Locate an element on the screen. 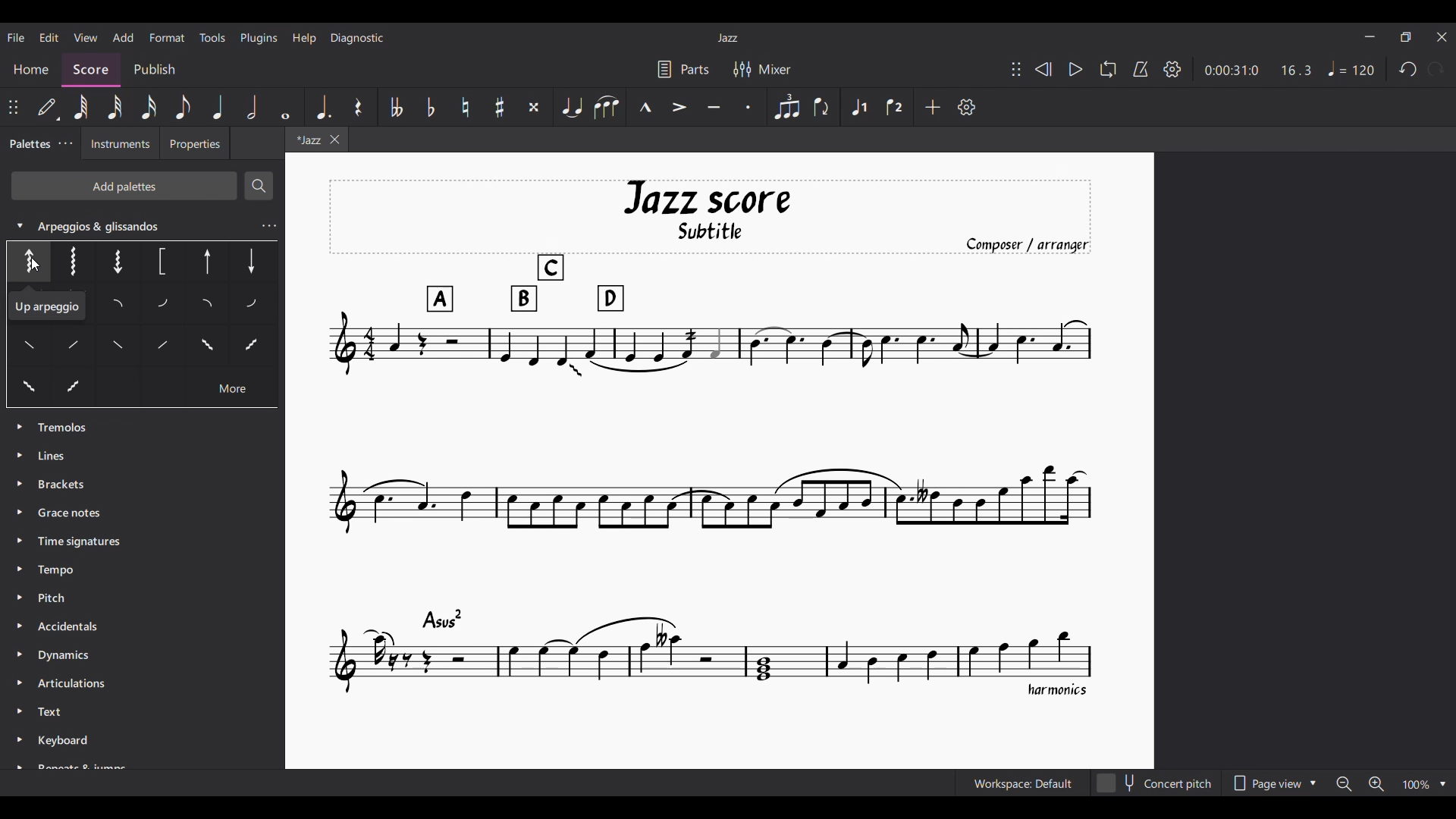 The image size is (1456, 819). Current score title is located at coordinates (728, 38).